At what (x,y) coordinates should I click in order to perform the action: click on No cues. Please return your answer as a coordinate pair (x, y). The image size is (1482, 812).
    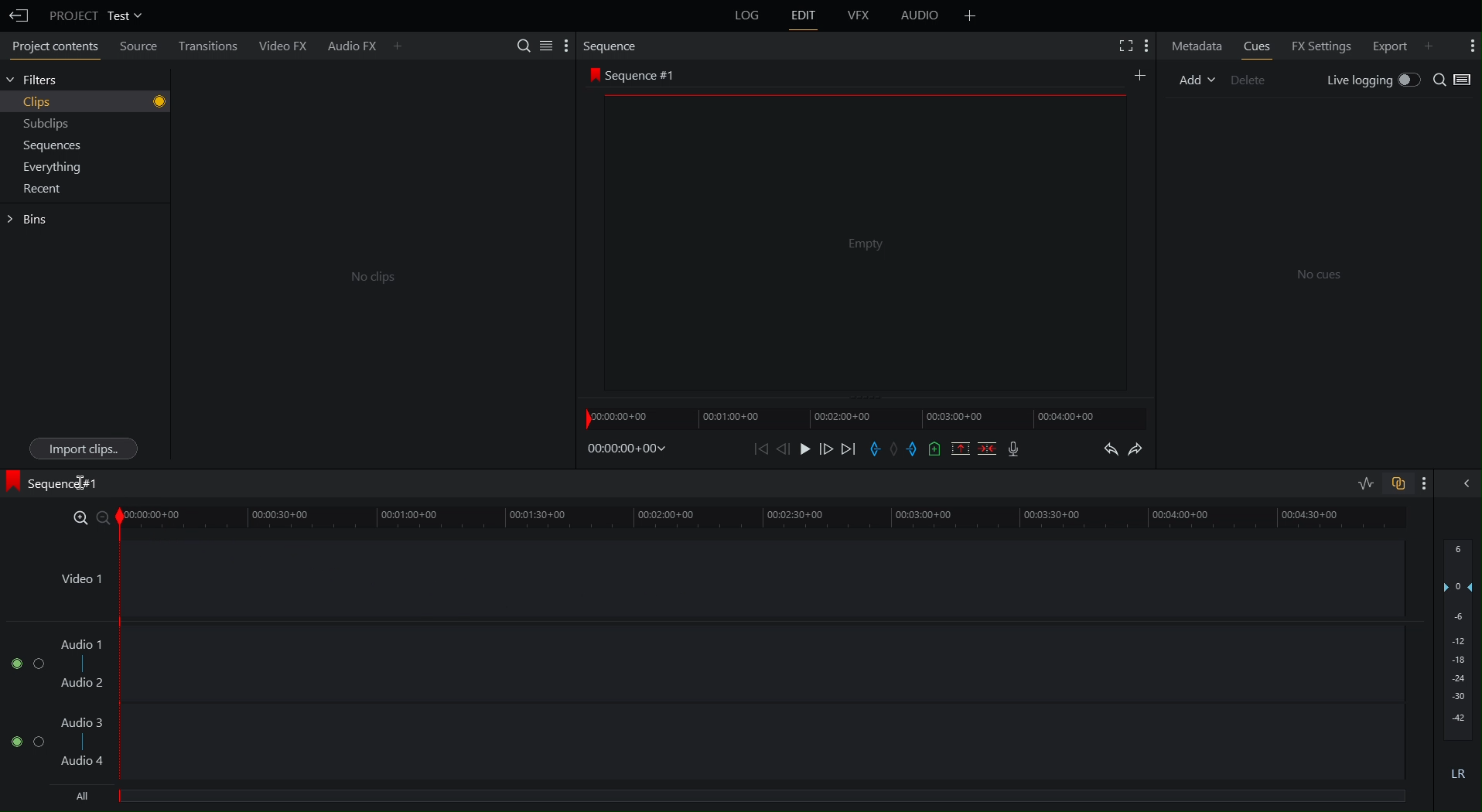
    Looking at the image, I should click on (1320, 276).